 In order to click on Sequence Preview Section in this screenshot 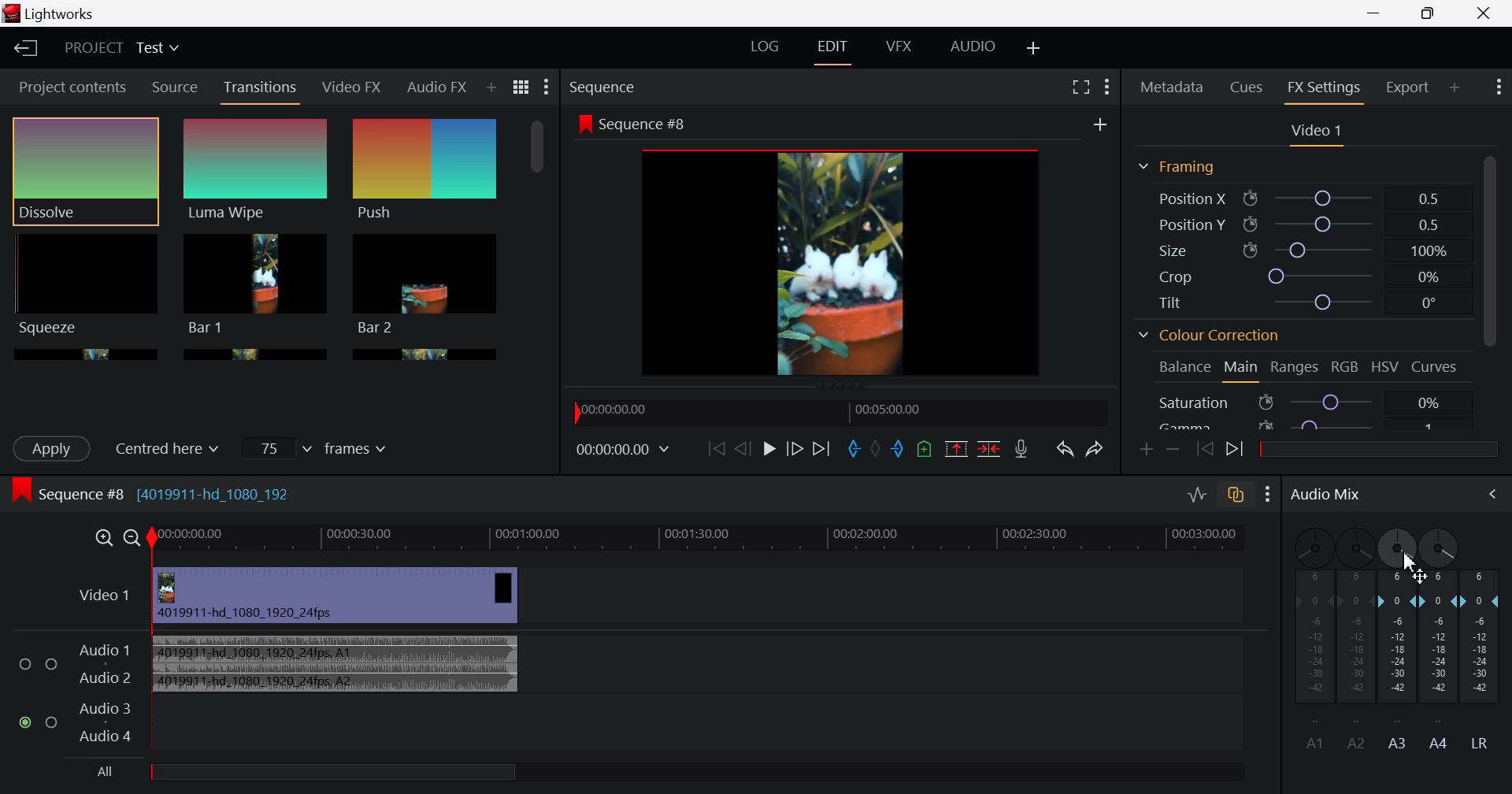, I will do `click(606, 87)`.